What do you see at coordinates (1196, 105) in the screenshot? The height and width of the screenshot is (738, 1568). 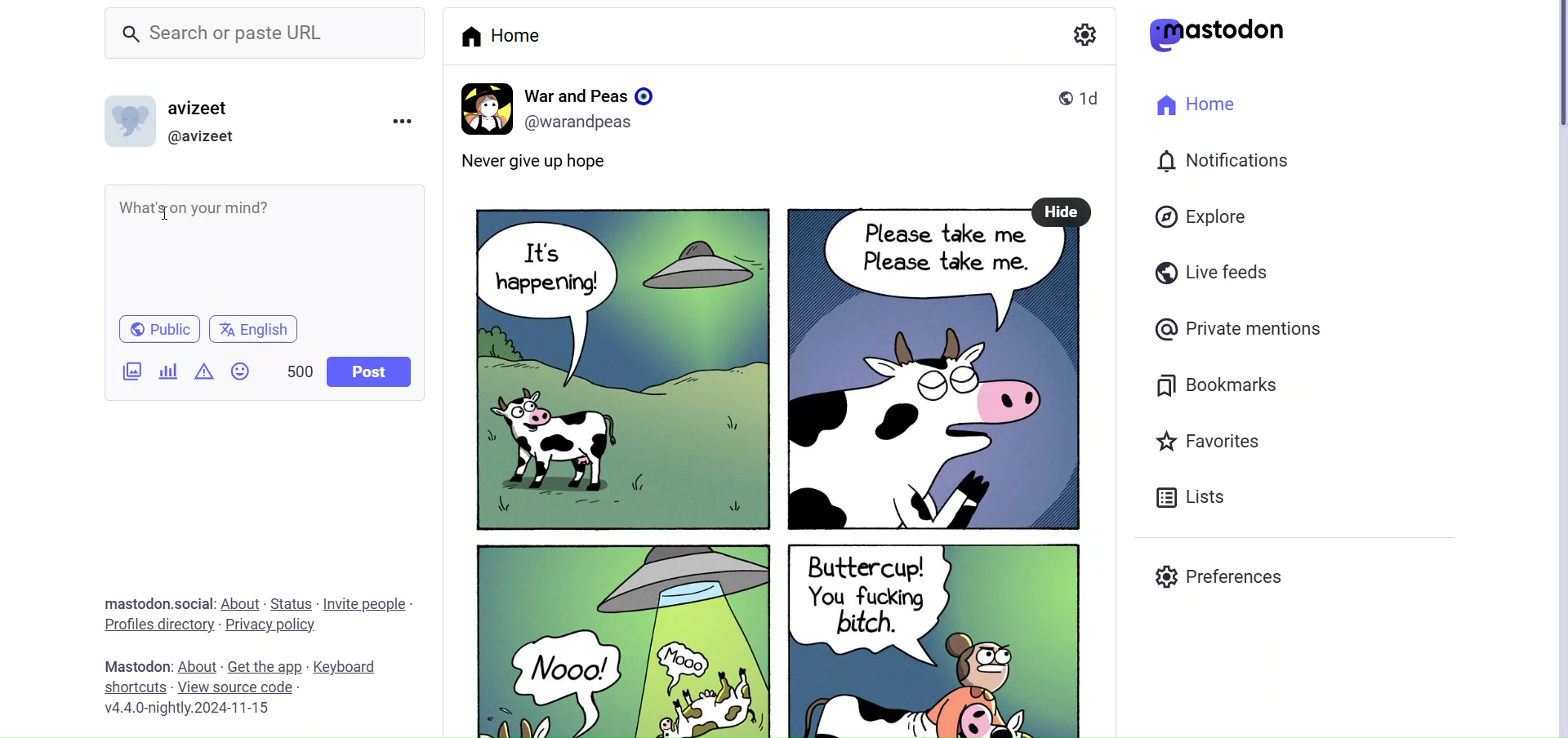 I see `Home` at bounding box center [1196, 105].